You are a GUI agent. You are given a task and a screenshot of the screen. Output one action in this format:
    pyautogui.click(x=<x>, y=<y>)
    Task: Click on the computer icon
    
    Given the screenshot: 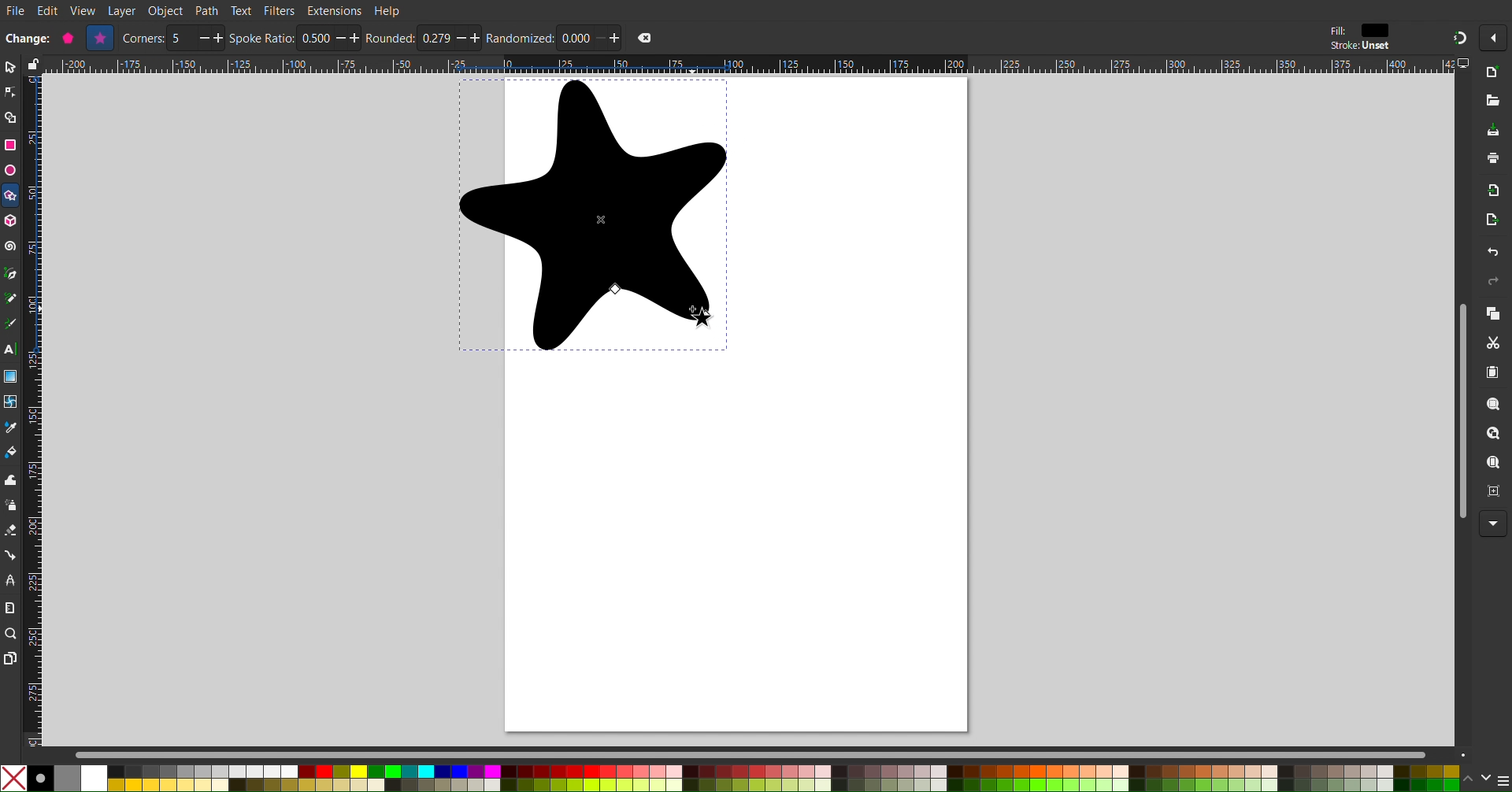 What is the action you would take?
    pyautogui.click(x=1466, y=64)
    